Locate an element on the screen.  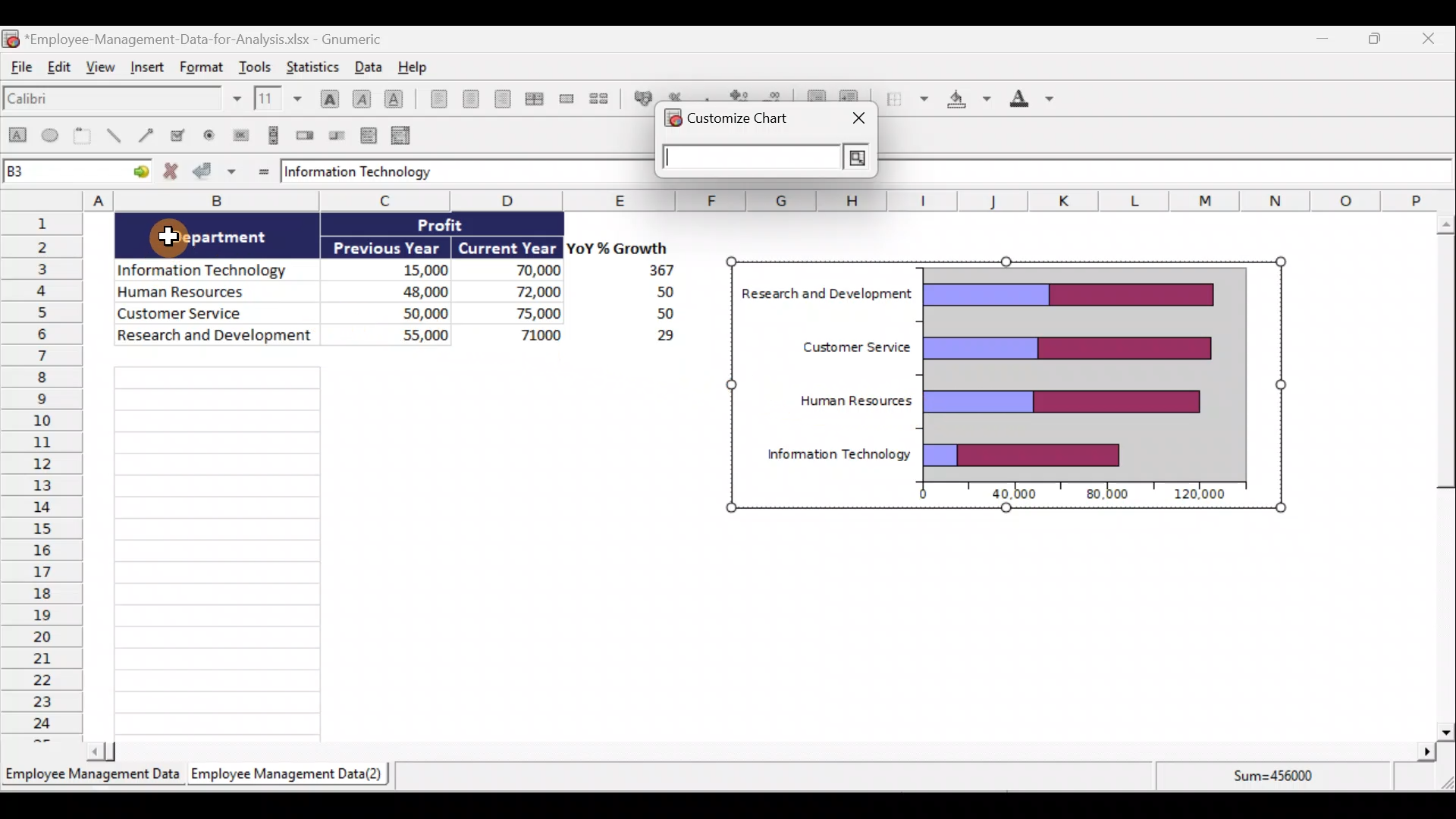
Foreground is located at coordinates (1027, 102).